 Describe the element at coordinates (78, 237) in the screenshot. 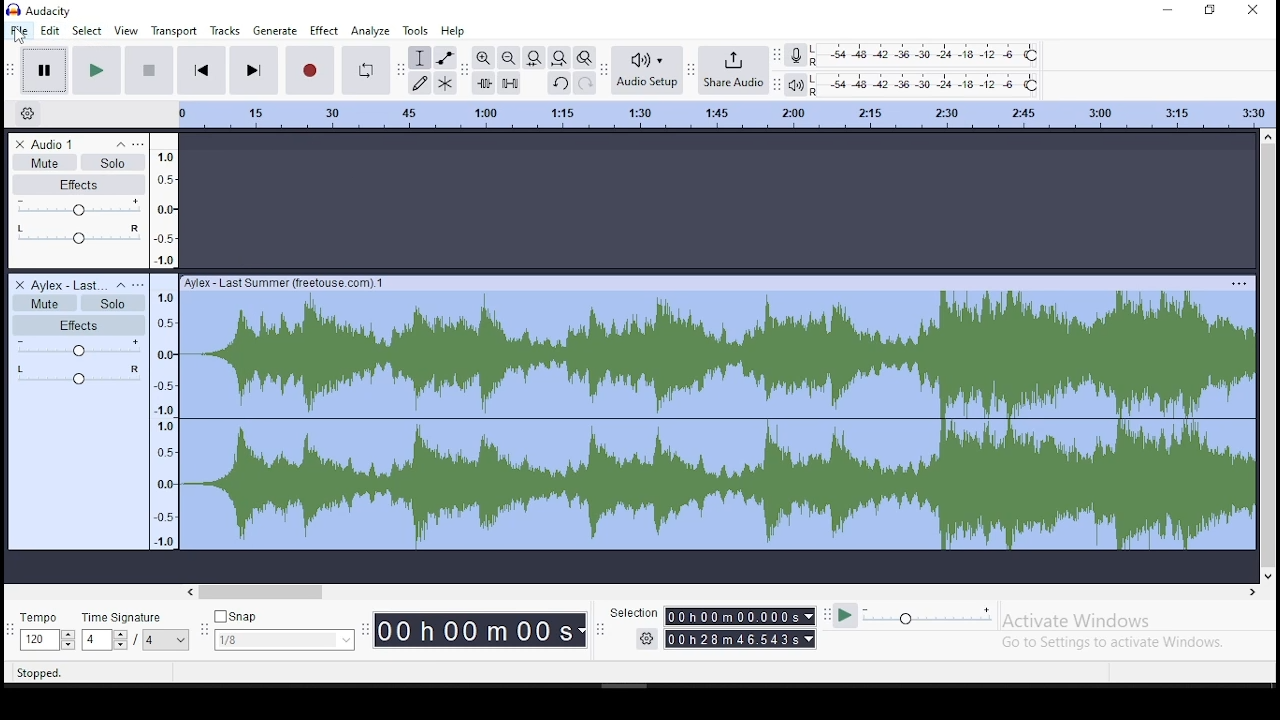

I see `pan` at that location.